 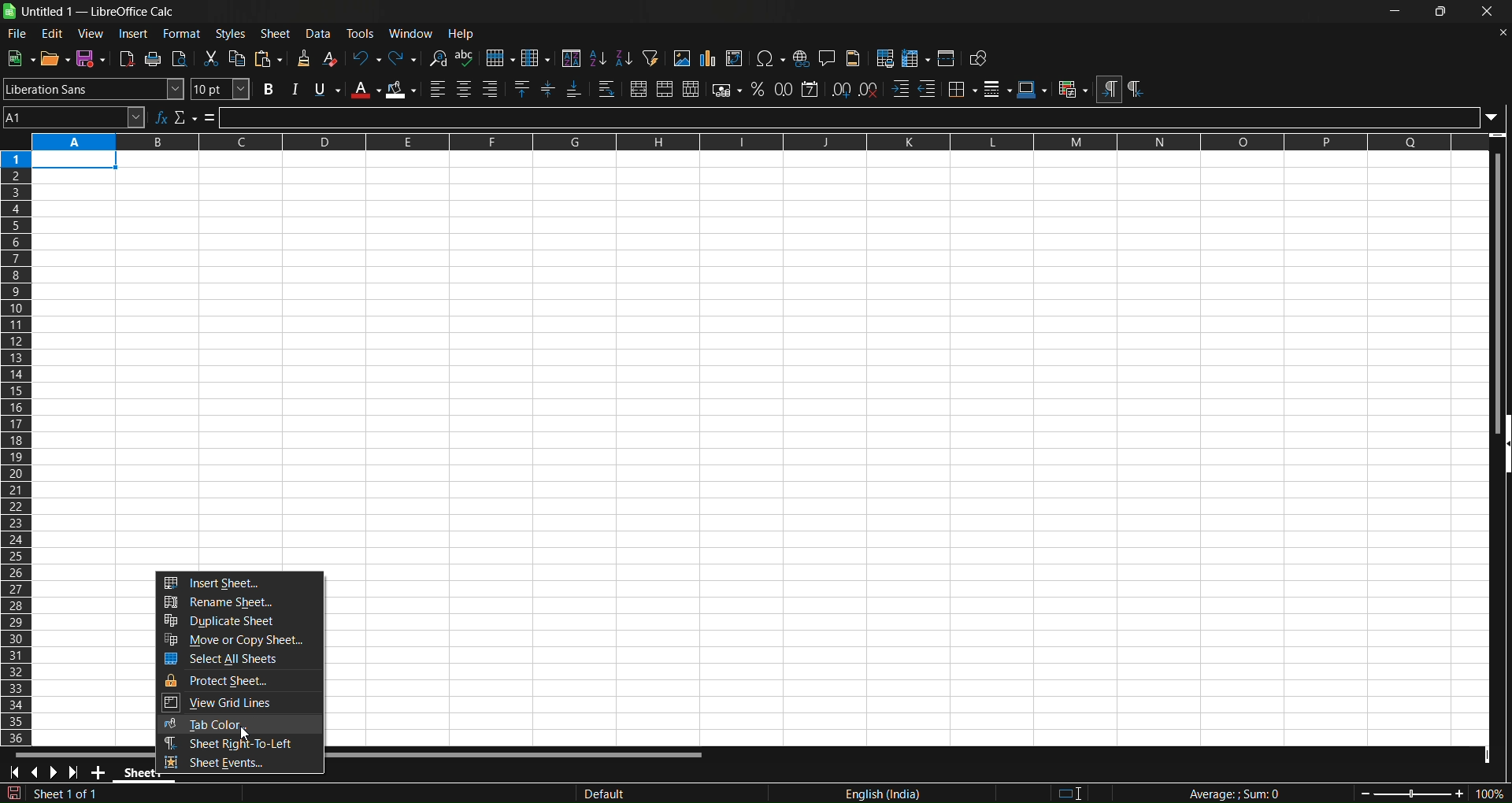 I want to click on toggle print preview, so click(x=180, y=59).